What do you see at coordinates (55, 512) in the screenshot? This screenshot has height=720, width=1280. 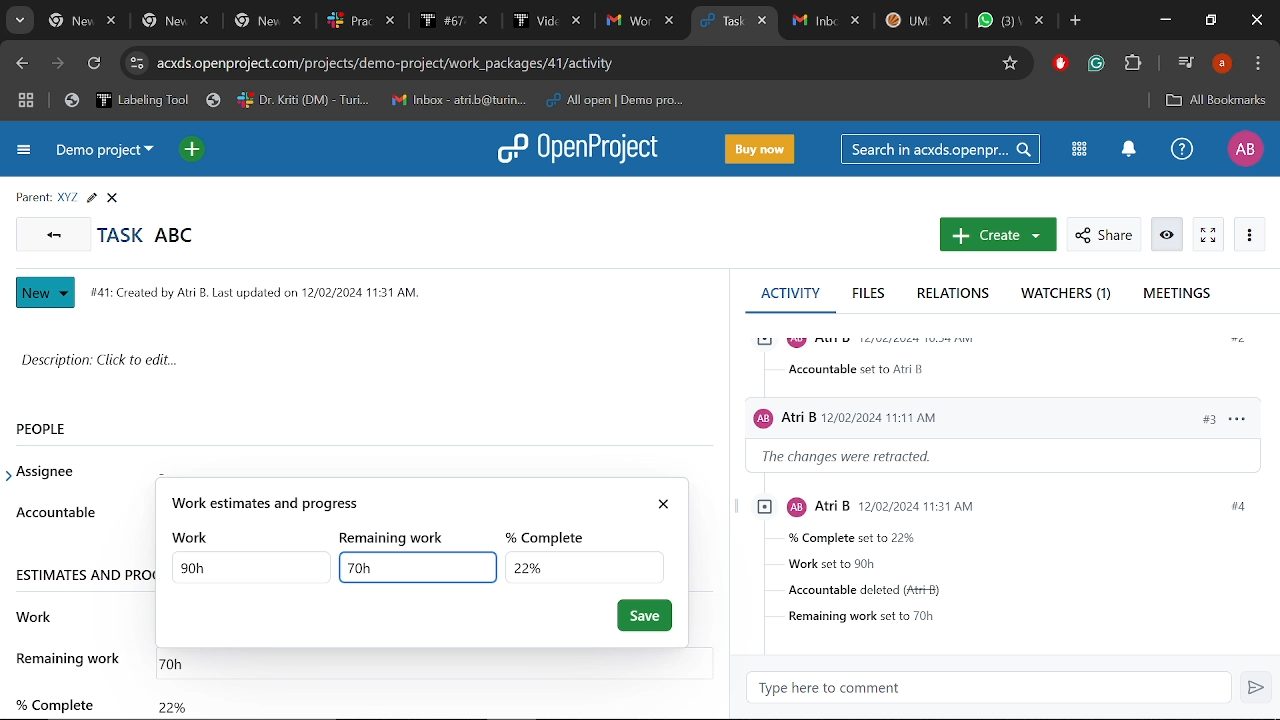 I see `accountable` at bounding box center [55, 512].